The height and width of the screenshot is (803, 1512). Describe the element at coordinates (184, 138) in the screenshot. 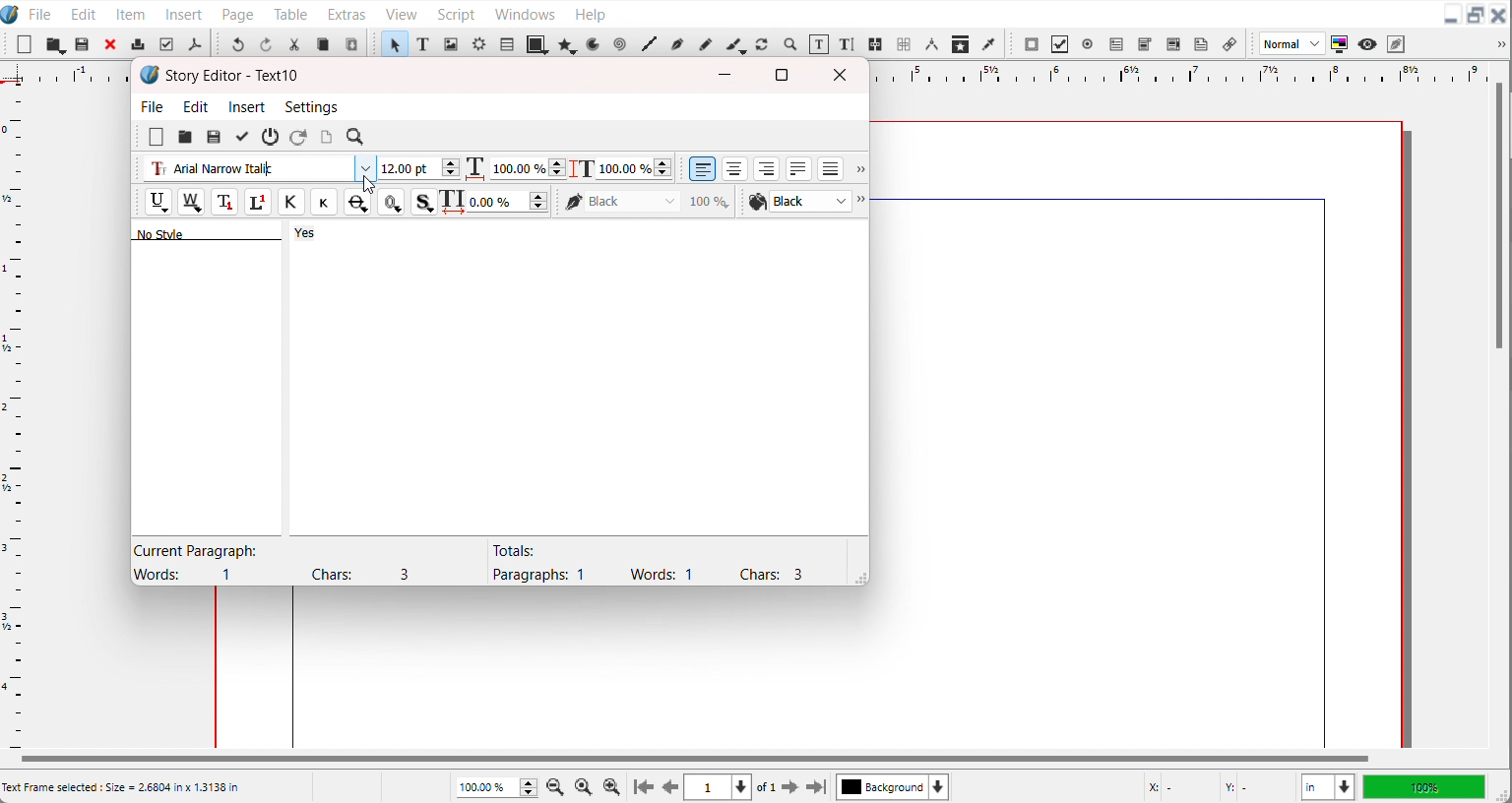

I see `open` at that location.